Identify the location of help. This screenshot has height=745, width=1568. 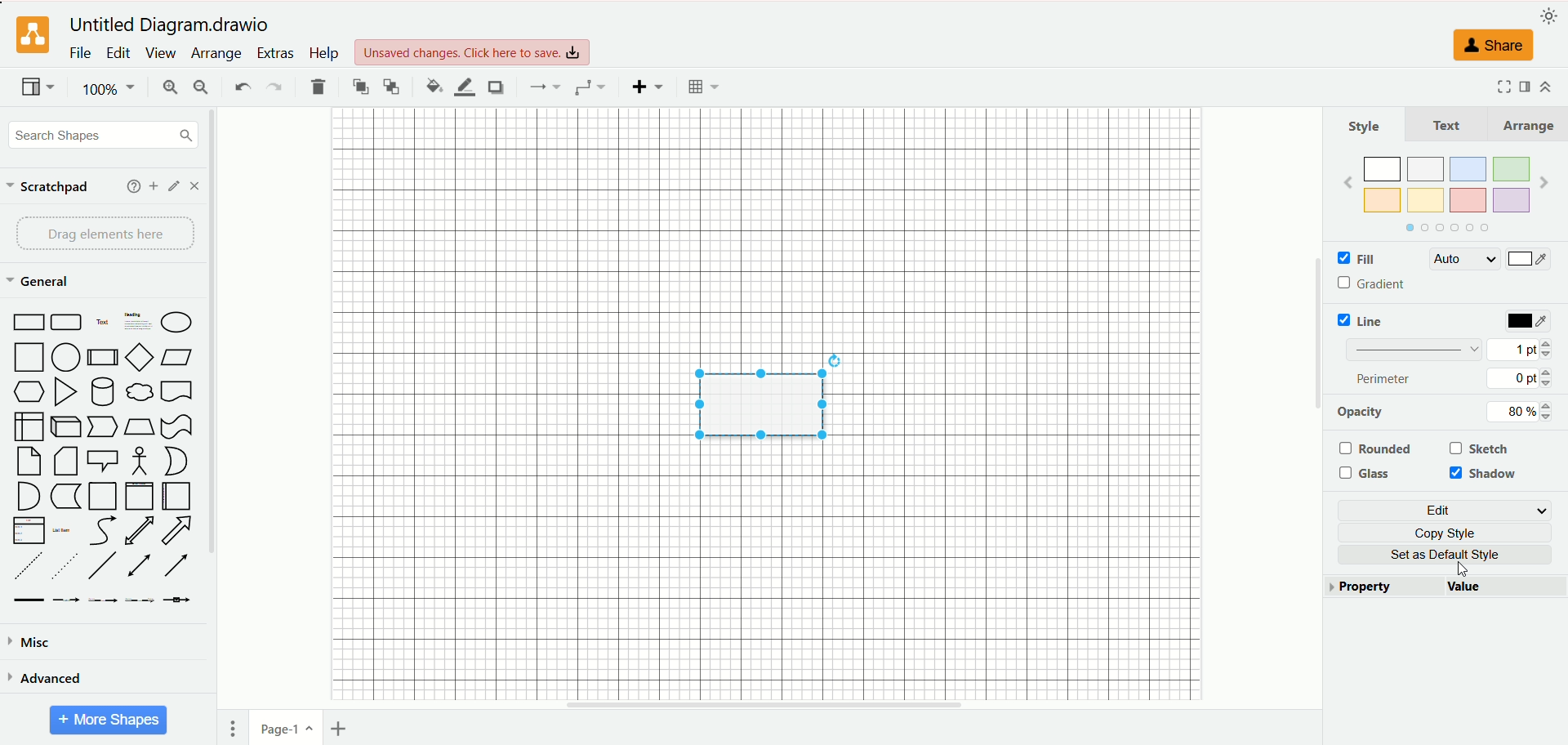
(134, 186).